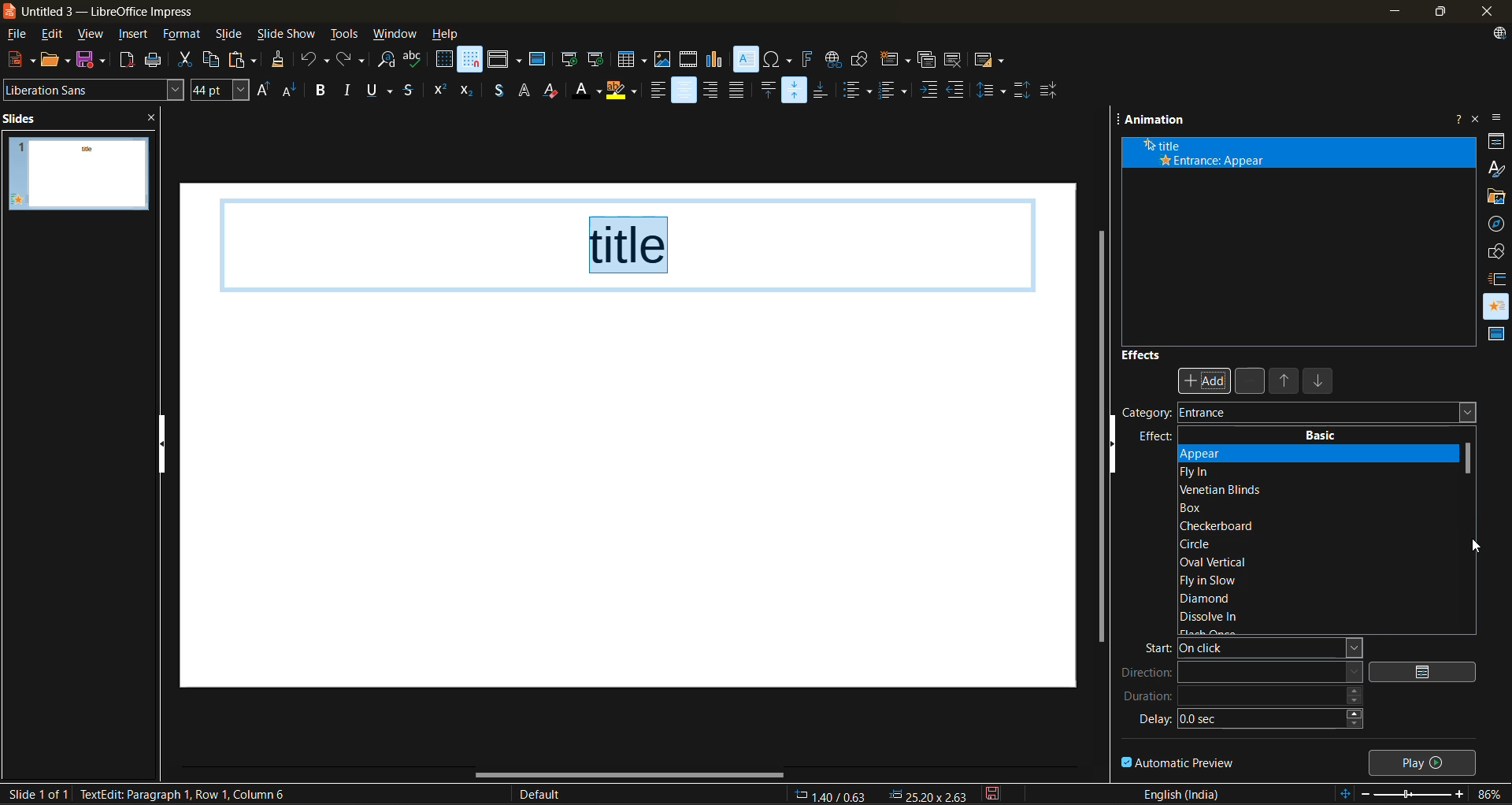 The height and width of the screenshot is (805, 1512). What do you see at coordinates (291, 93) in the screenshot?
I see `decrease font size` at bounding box center [291, 93].